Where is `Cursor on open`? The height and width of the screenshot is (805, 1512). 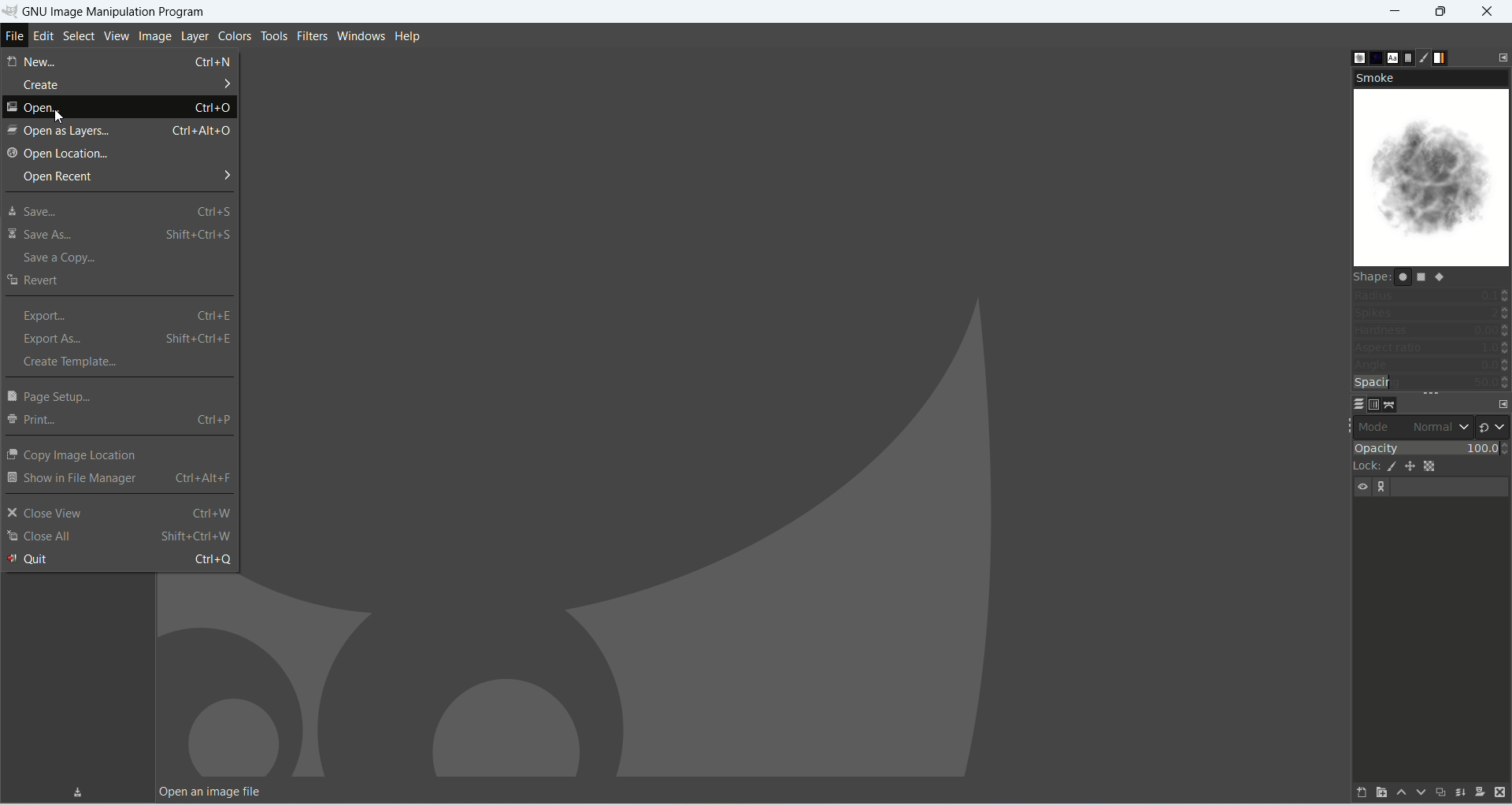
Cursor on open is located at coordinates (120, 108).